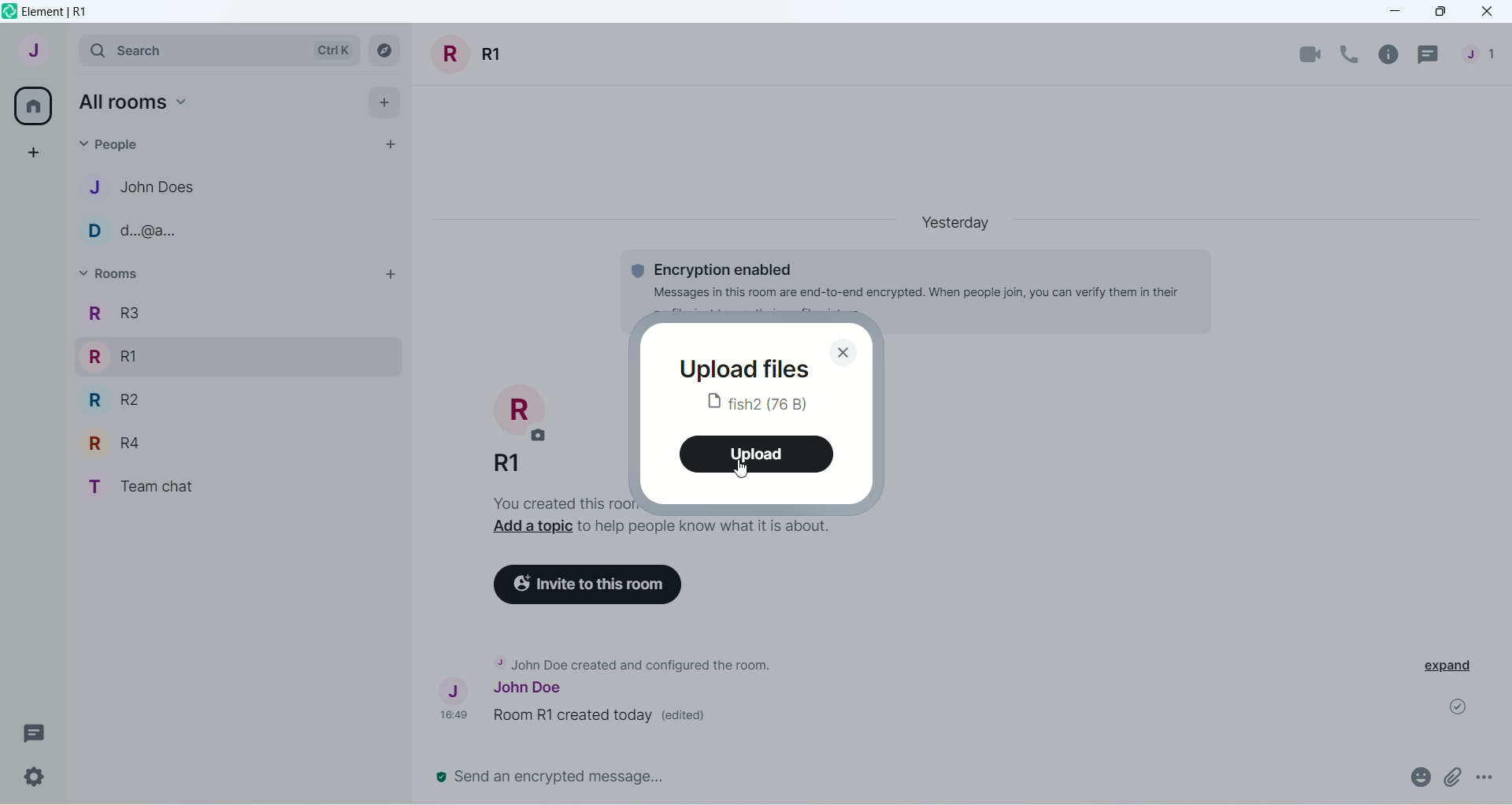 The width and height of the screenshot is (1512, 805). Describe the element at coordinates (732, 364) in the screenshot. I see `upload files` at that location.